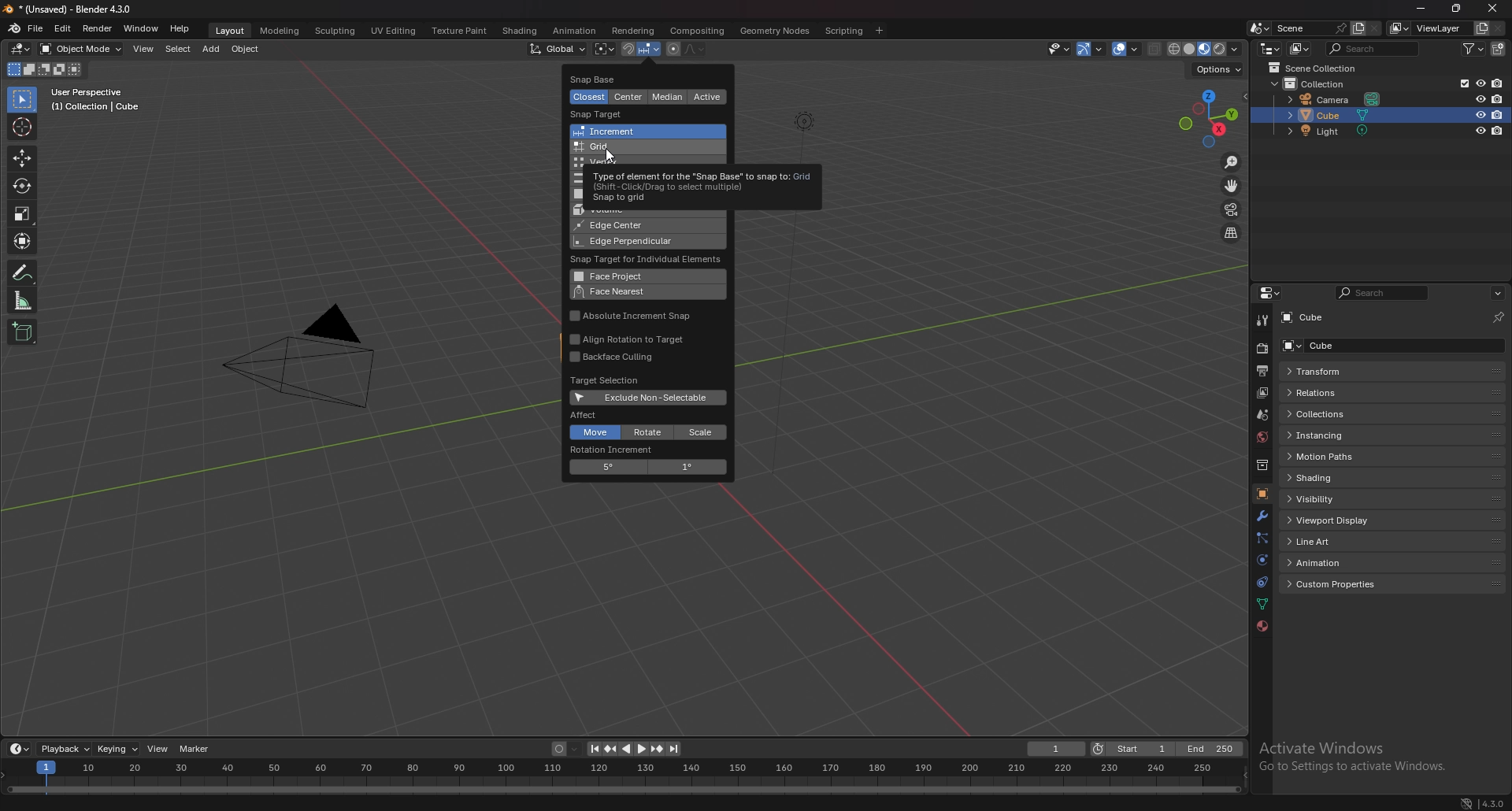  Describe the element at coordinates (1358, 28) in the screenshot. I see `add scene` at that location.